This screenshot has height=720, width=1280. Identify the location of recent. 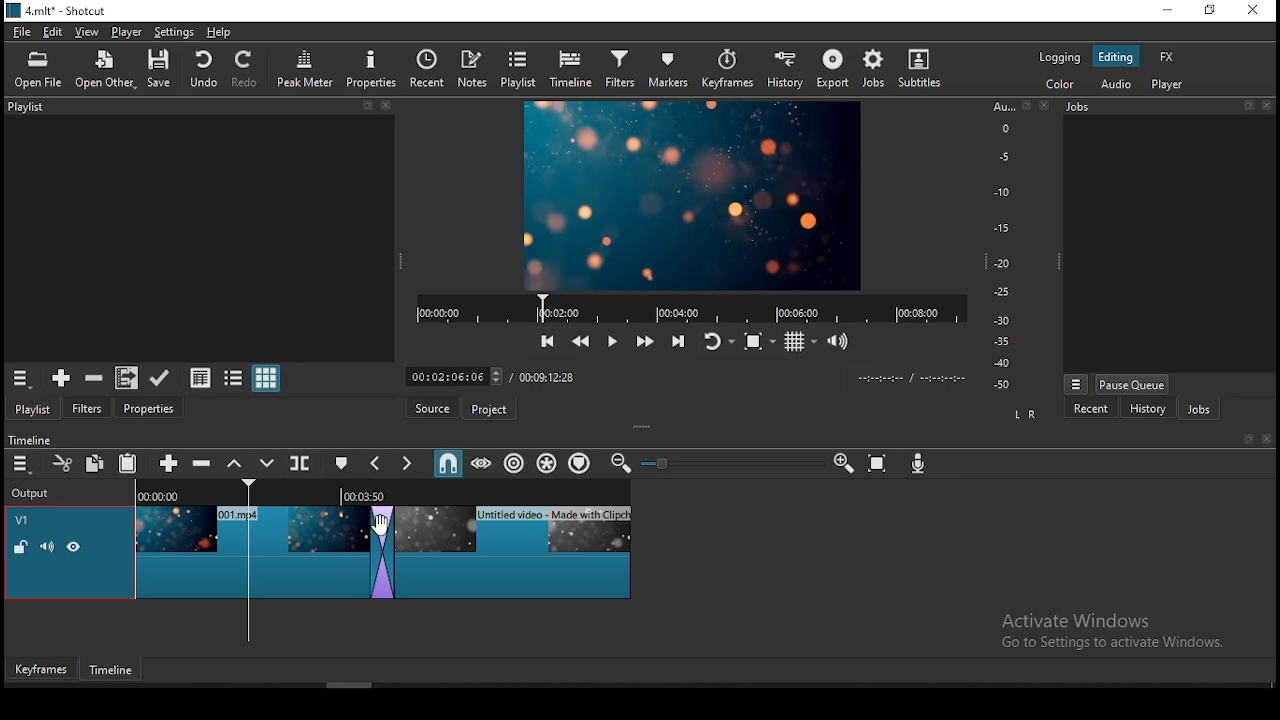
(1093, 407).